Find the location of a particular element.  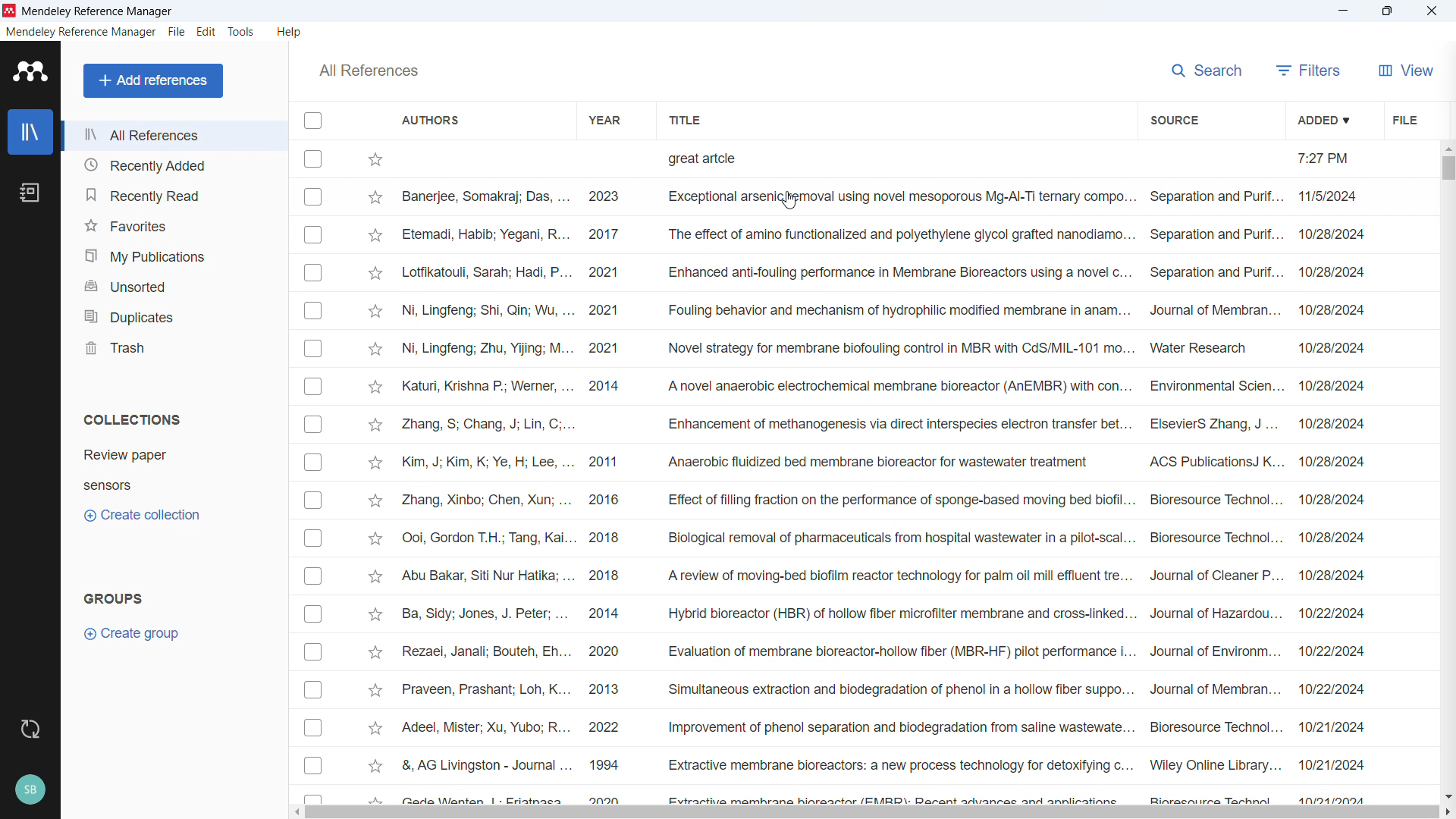

Duplicates  is located at coordinates (174, 315).